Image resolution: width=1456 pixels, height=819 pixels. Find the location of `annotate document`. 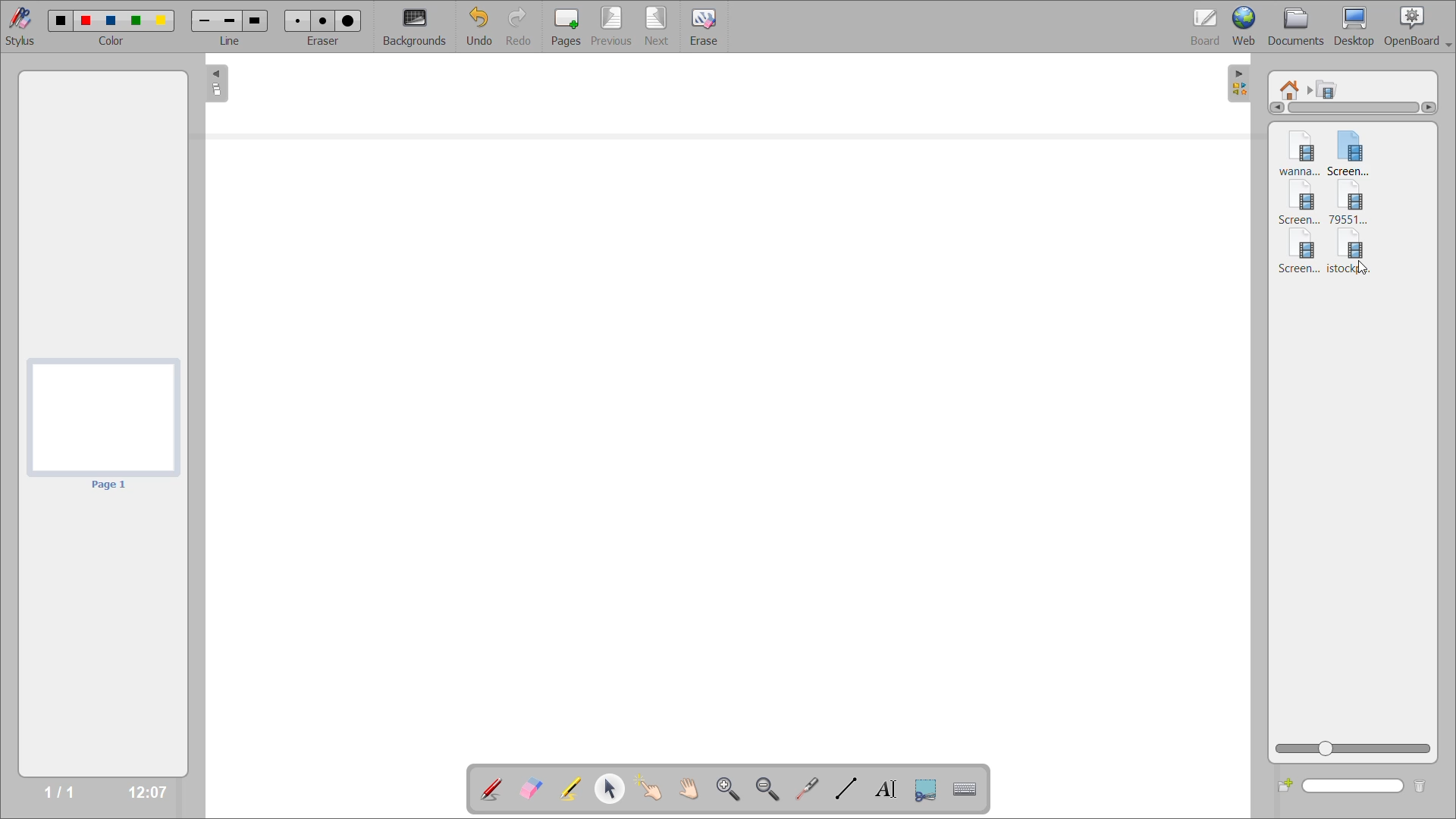

annotate document is located at coordinates (491, 787).